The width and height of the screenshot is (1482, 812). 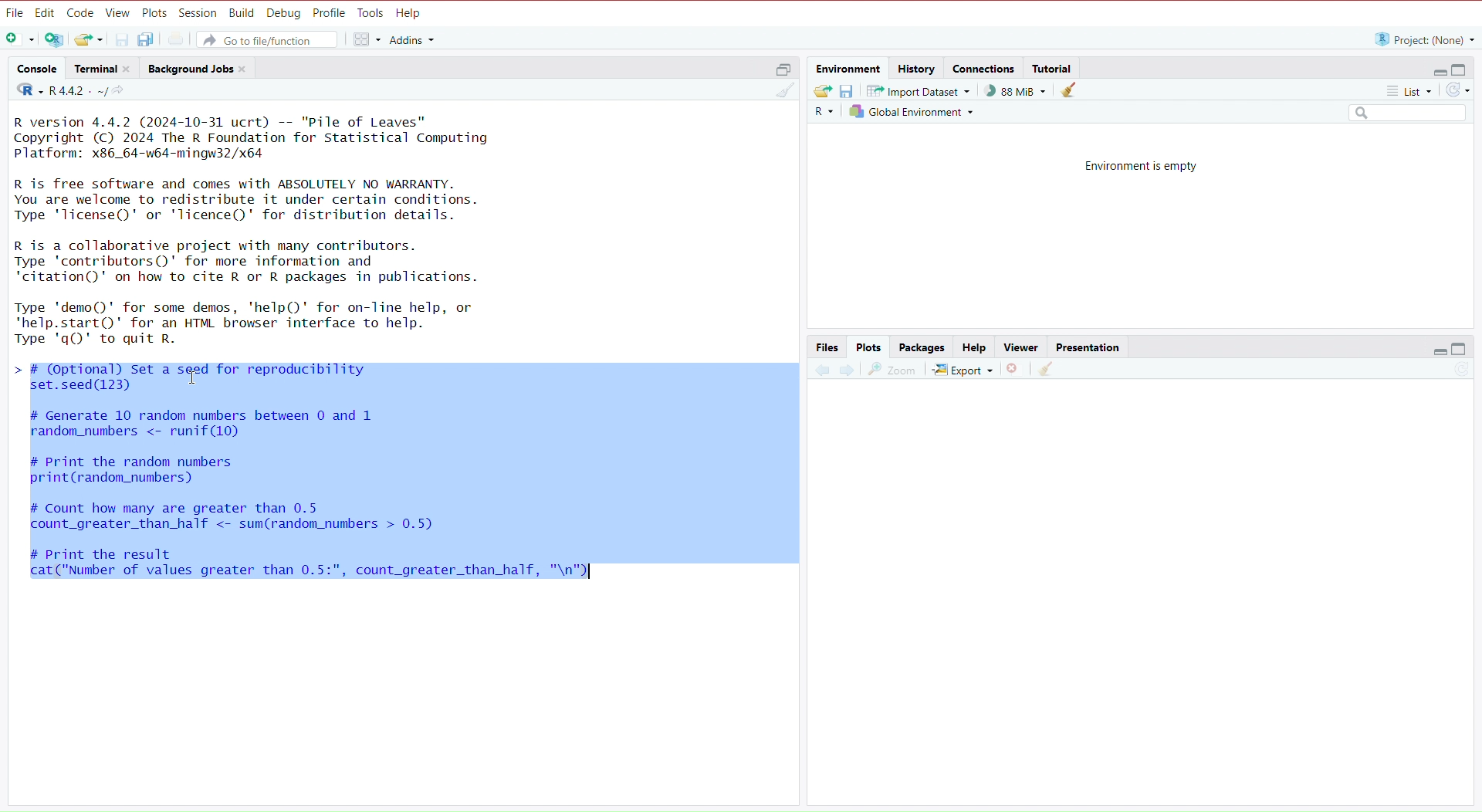 I want to click on ‘Console, so click(x=36, y=67).